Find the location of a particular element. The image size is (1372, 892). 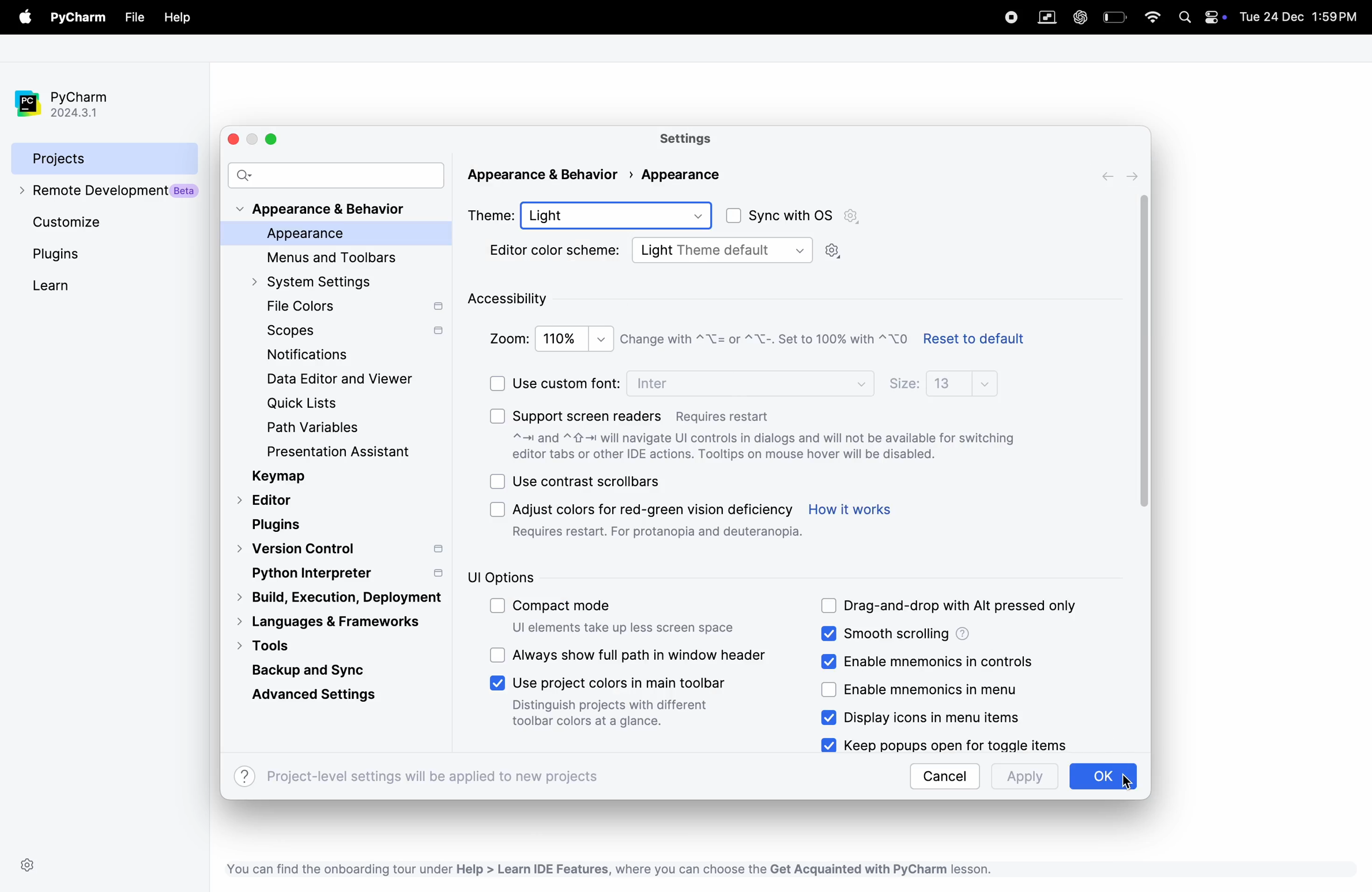

languages and frame works is located at coordinates (344, 623).